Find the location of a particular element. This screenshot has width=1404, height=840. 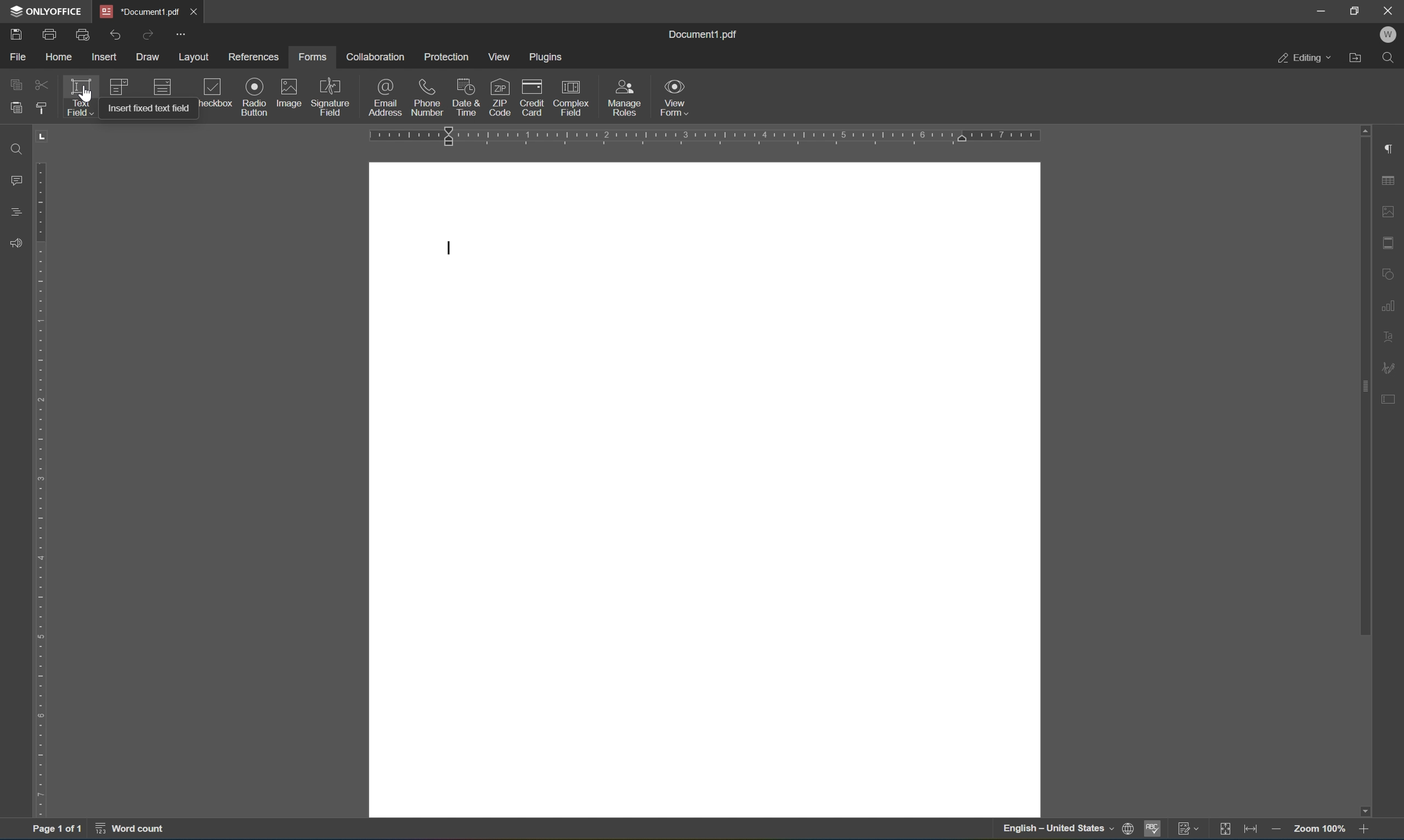

image is located at coordinates (290, 92).